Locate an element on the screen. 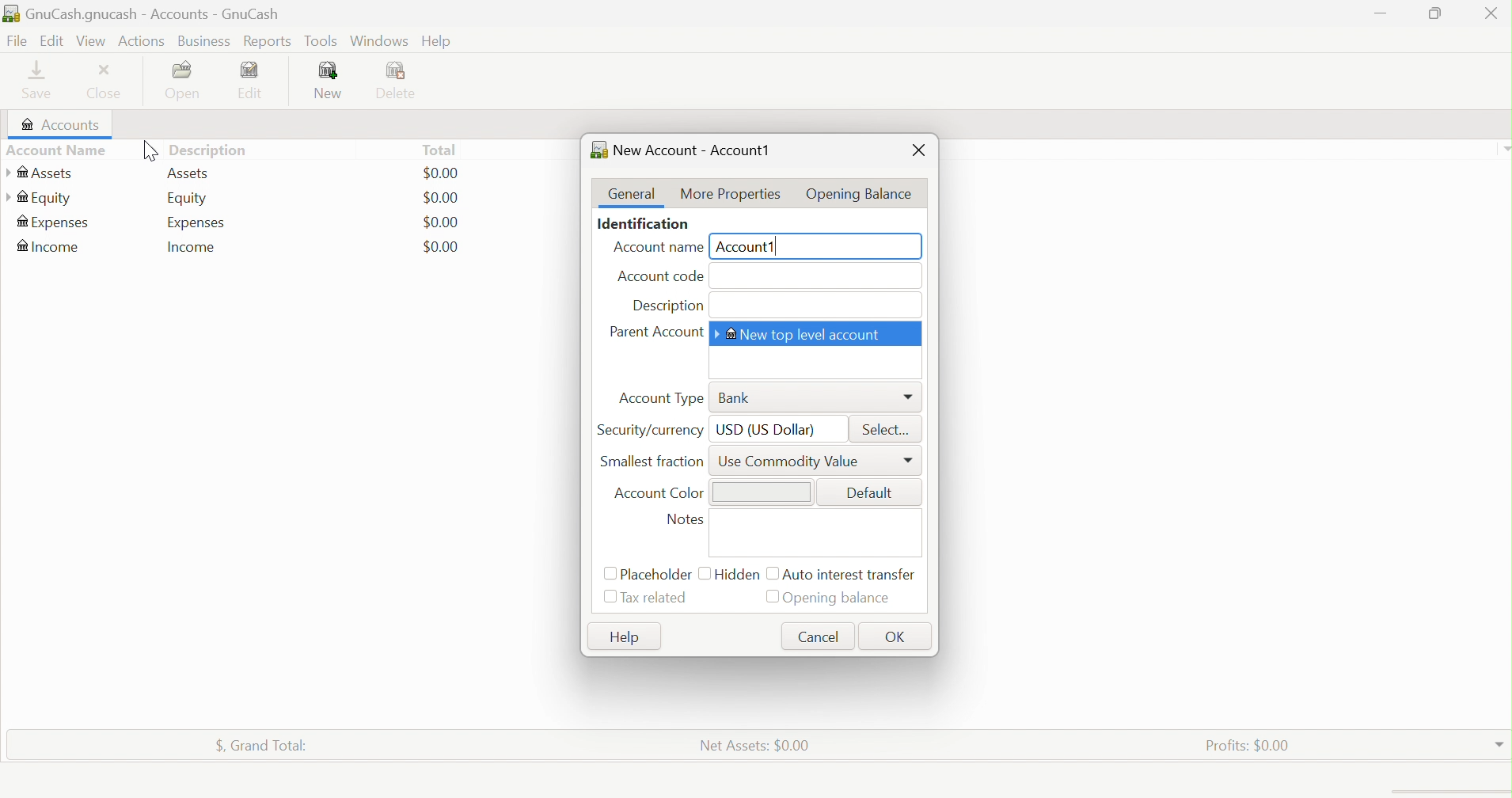 This screenshot has width=1512, height=798. cursor is located at coordinates (151, 47).